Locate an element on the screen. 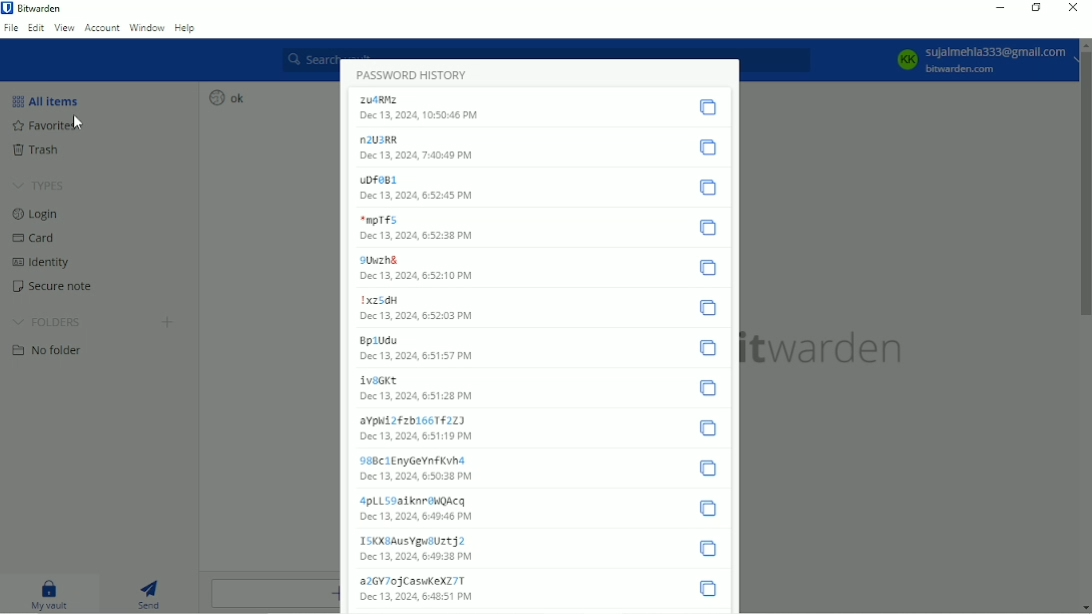  I5KX8AusYgw8Uztj2 is located at coordinates (416, 540).